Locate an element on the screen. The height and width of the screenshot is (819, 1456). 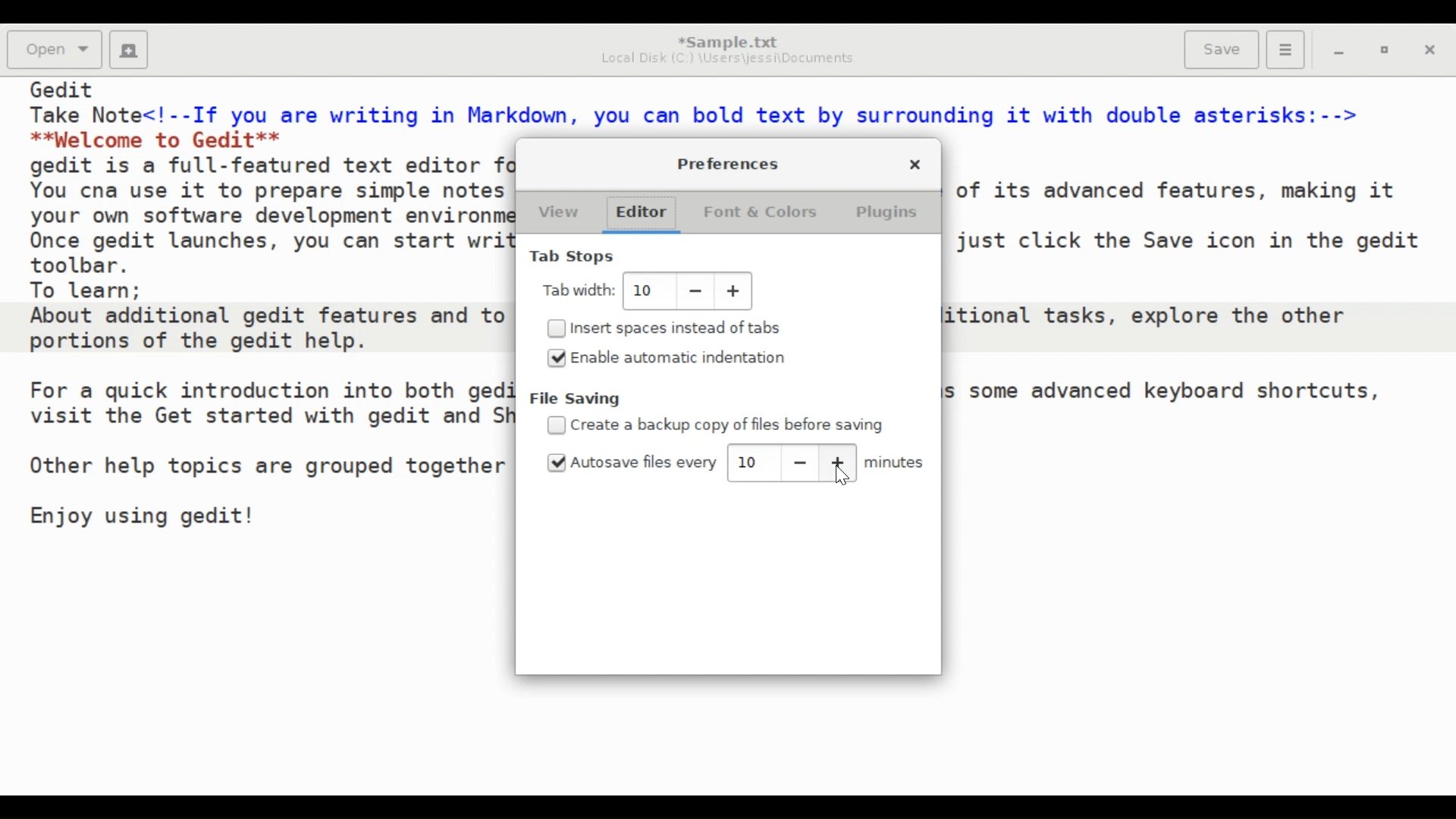
increase is located at coordinates (838, 463).